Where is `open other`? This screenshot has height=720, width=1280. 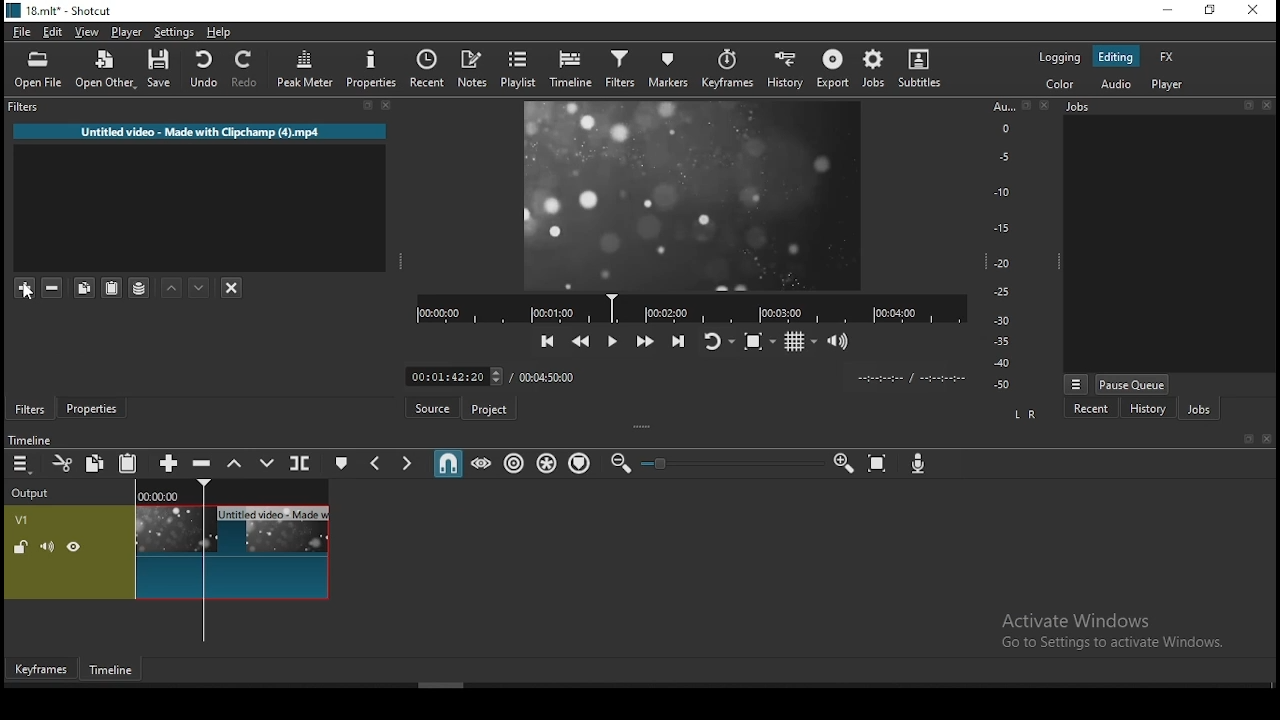
open other is located at coordinates (104, 70).